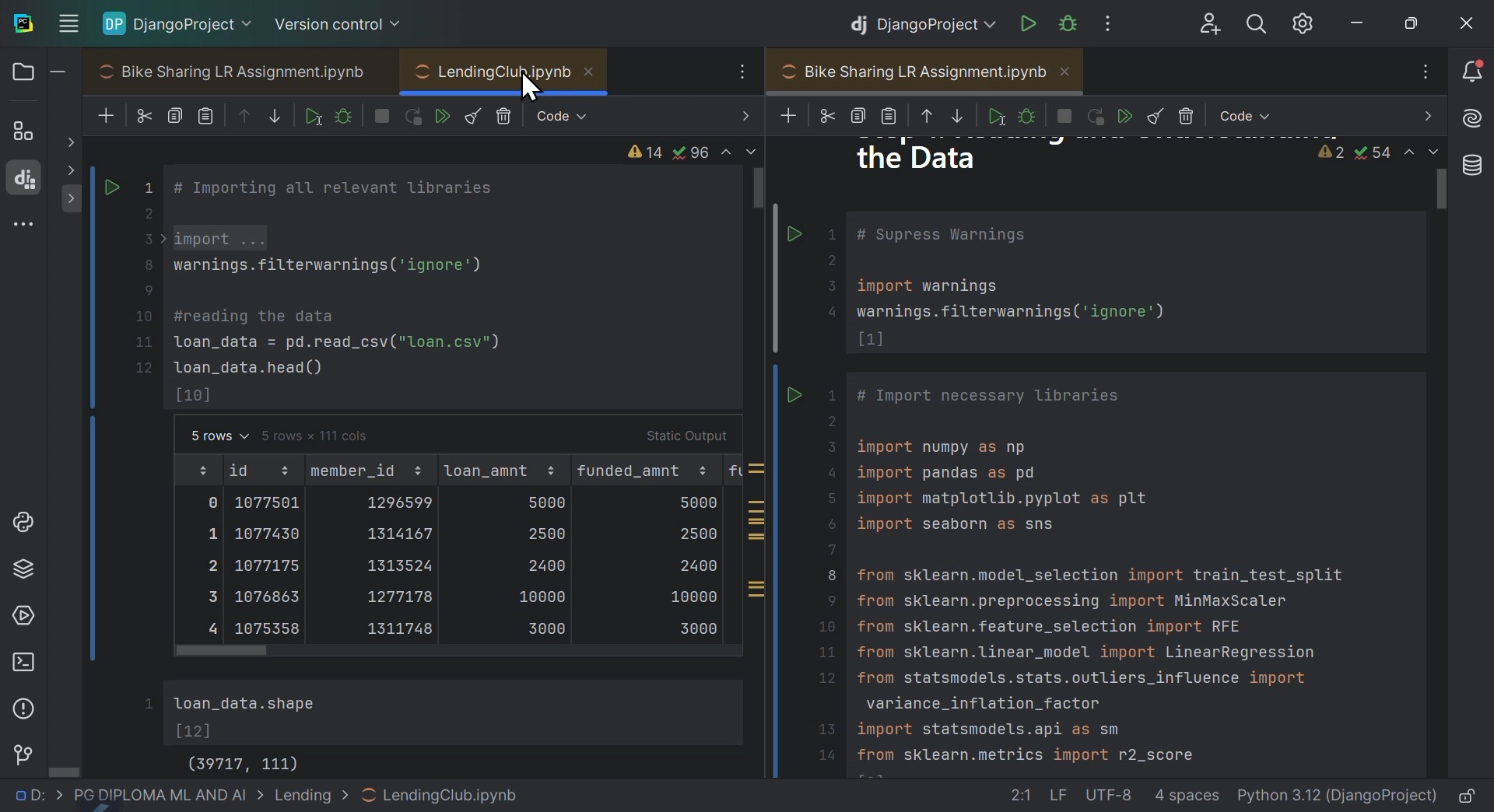  I want to click on cut , so click(143, 111).